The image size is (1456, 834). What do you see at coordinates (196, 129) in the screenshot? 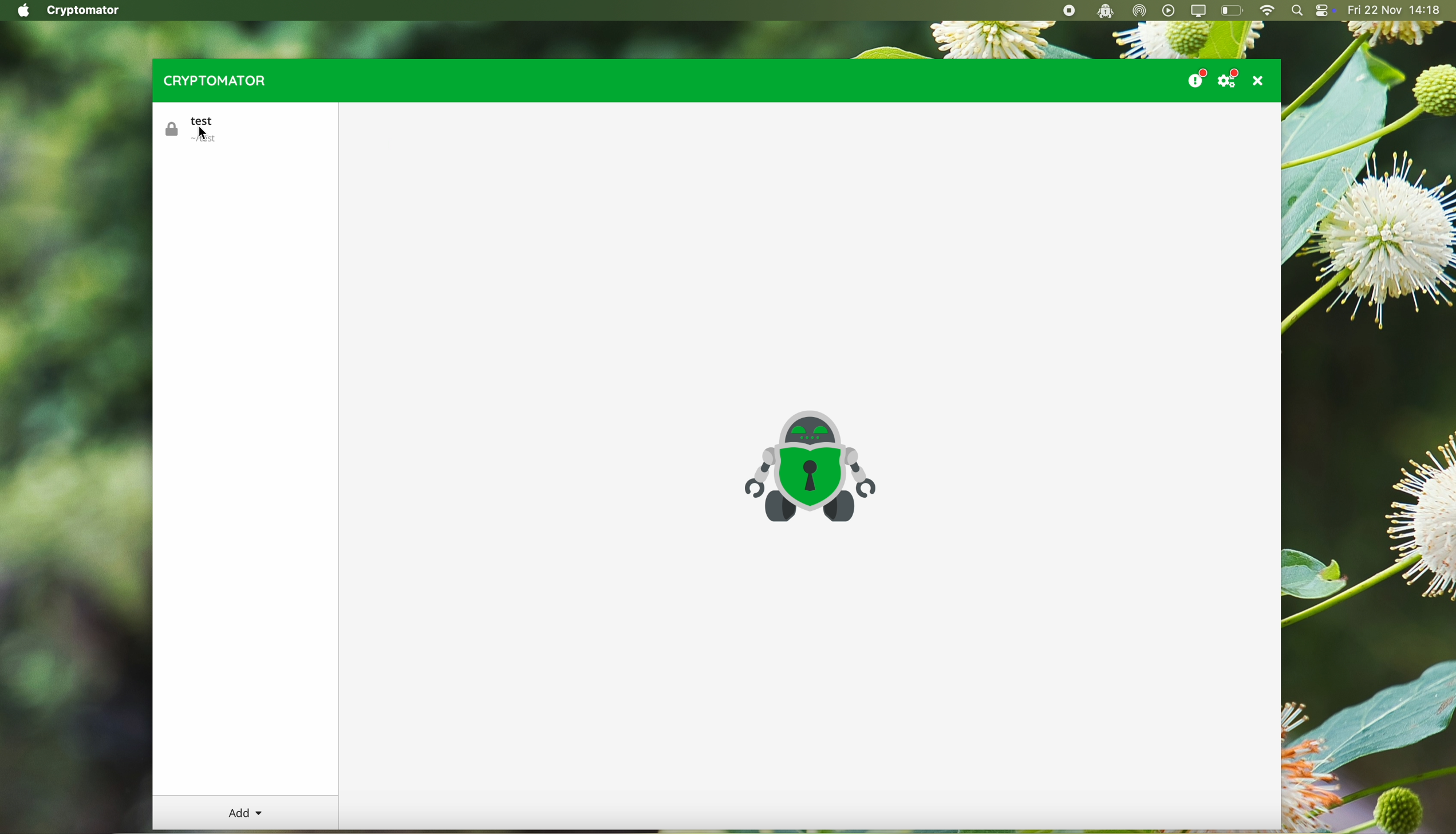
I see `test vault` at bounding box center [196, 129].